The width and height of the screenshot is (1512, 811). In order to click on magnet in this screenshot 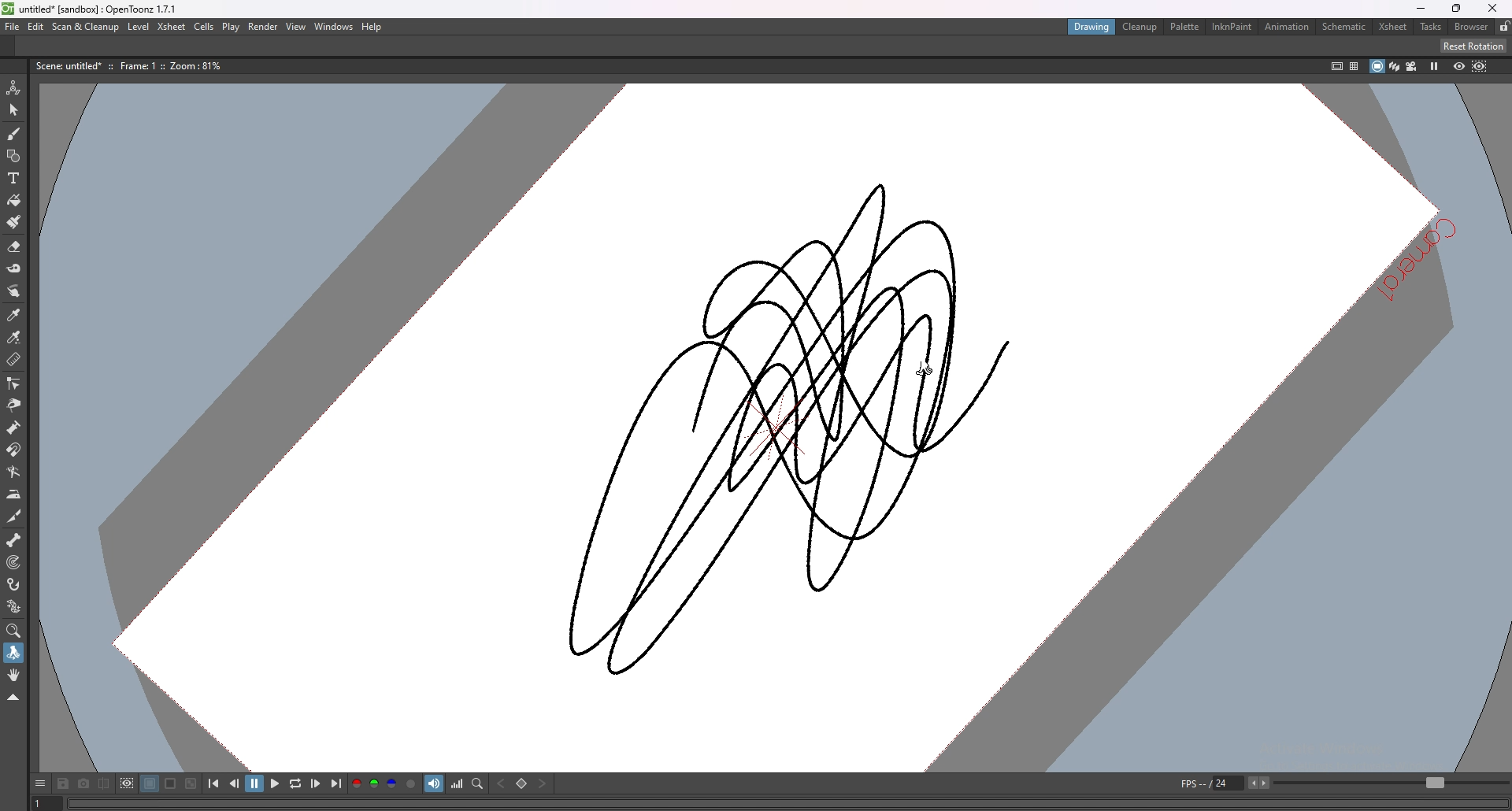, I will do `click(13, 450)`.